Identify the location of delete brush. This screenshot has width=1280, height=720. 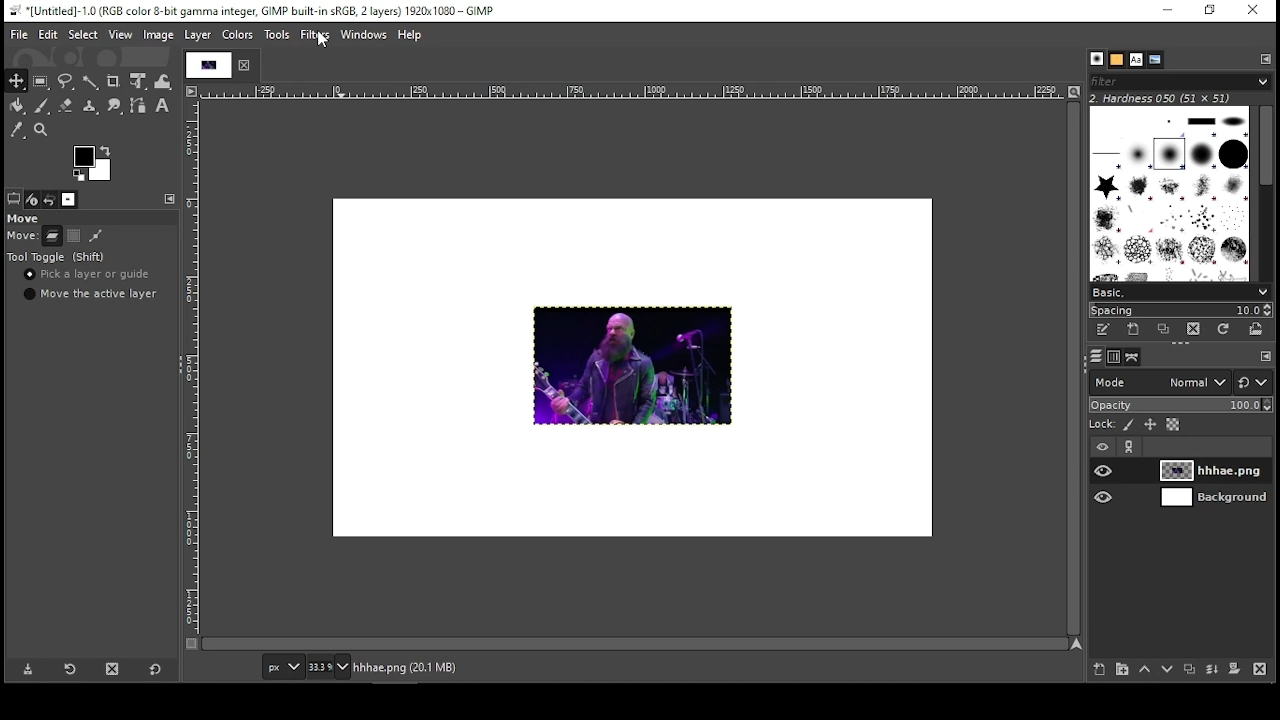
(1192, 330).